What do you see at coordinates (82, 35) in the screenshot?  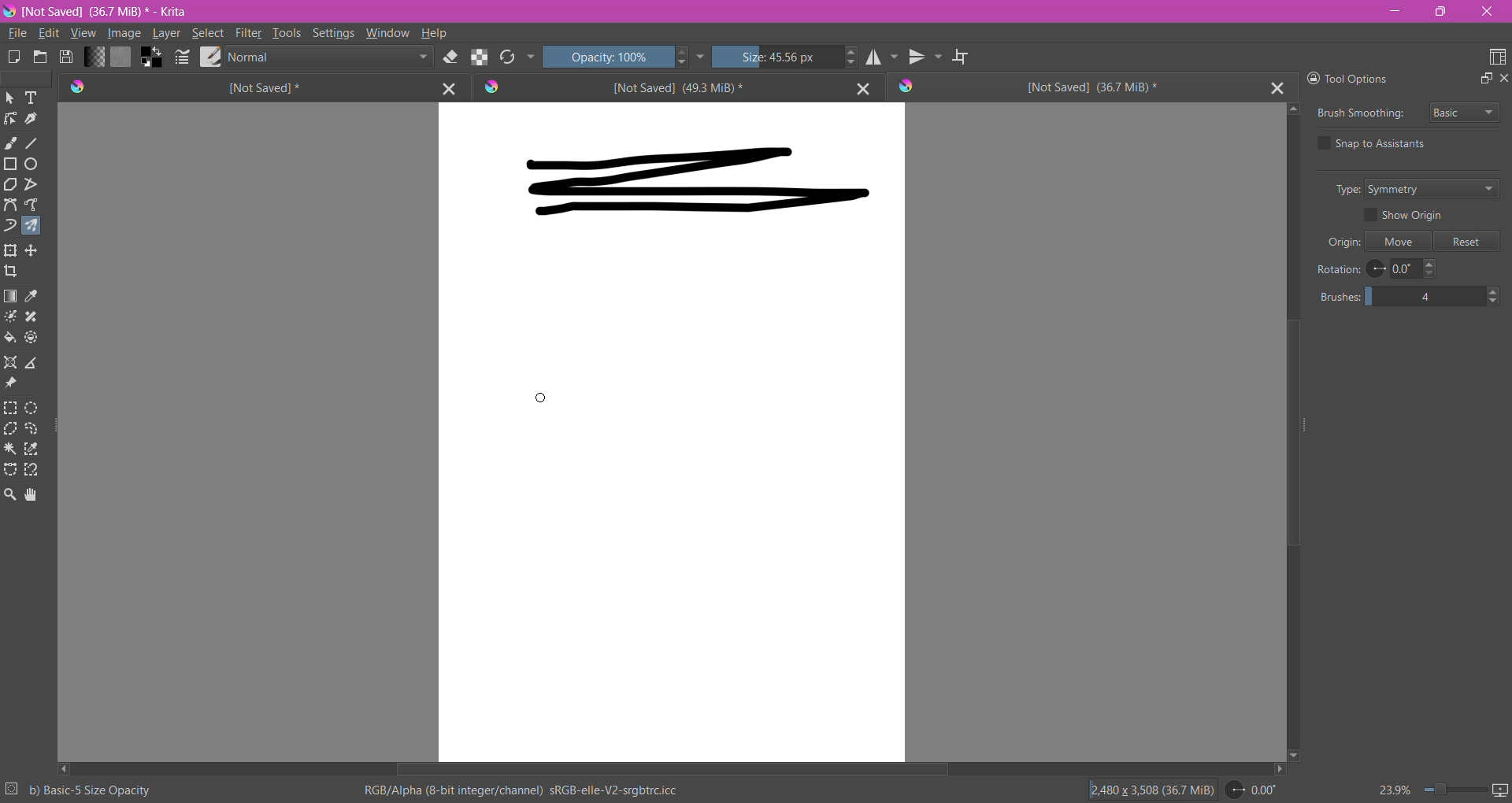 I see `View` at bounding box center [82, 35].